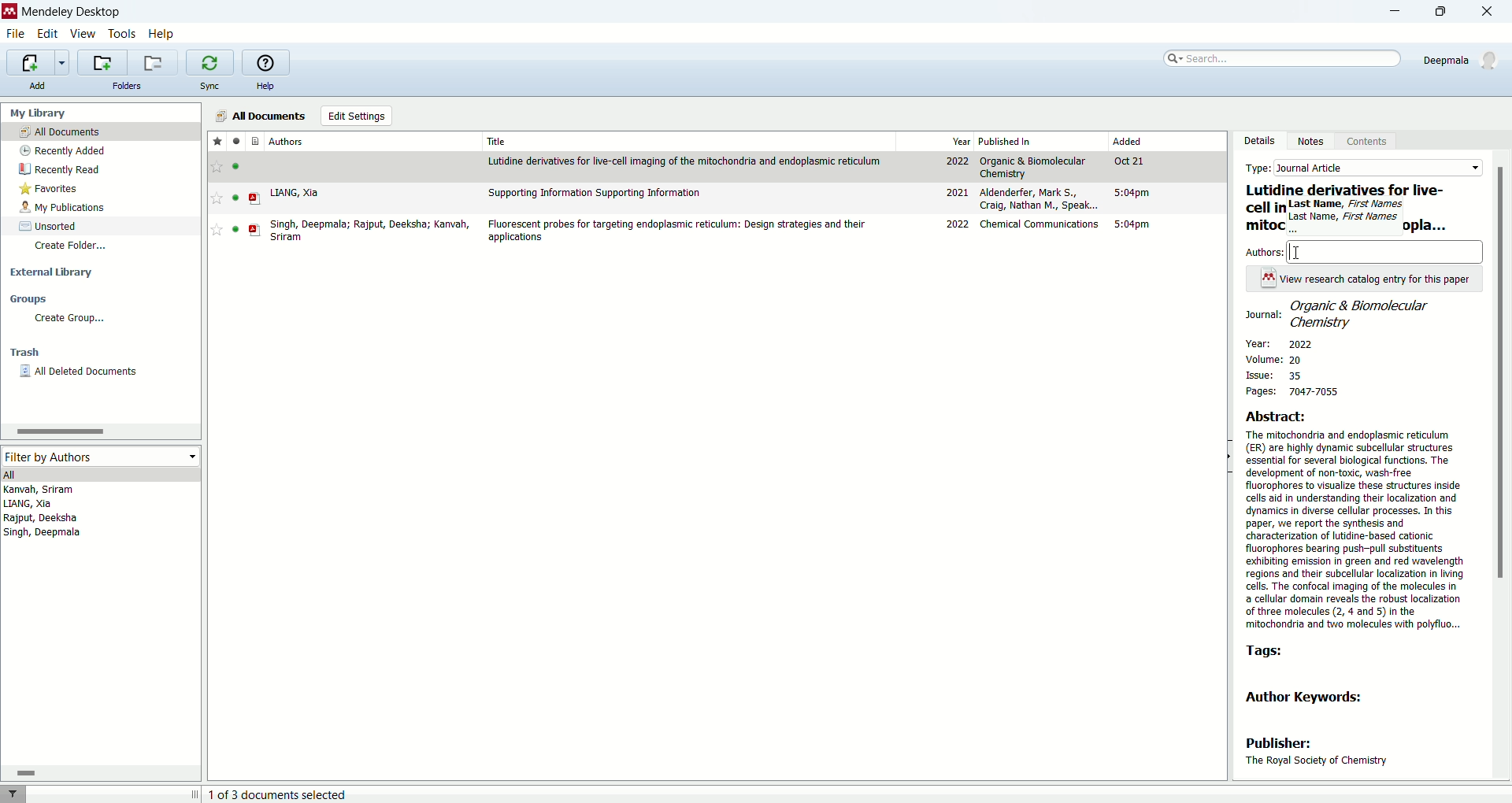 This screenshot has height=803, width=1512. Describe the element at coordinates (1133, 163) in the screenshot. I see `Oct 21` at that location.